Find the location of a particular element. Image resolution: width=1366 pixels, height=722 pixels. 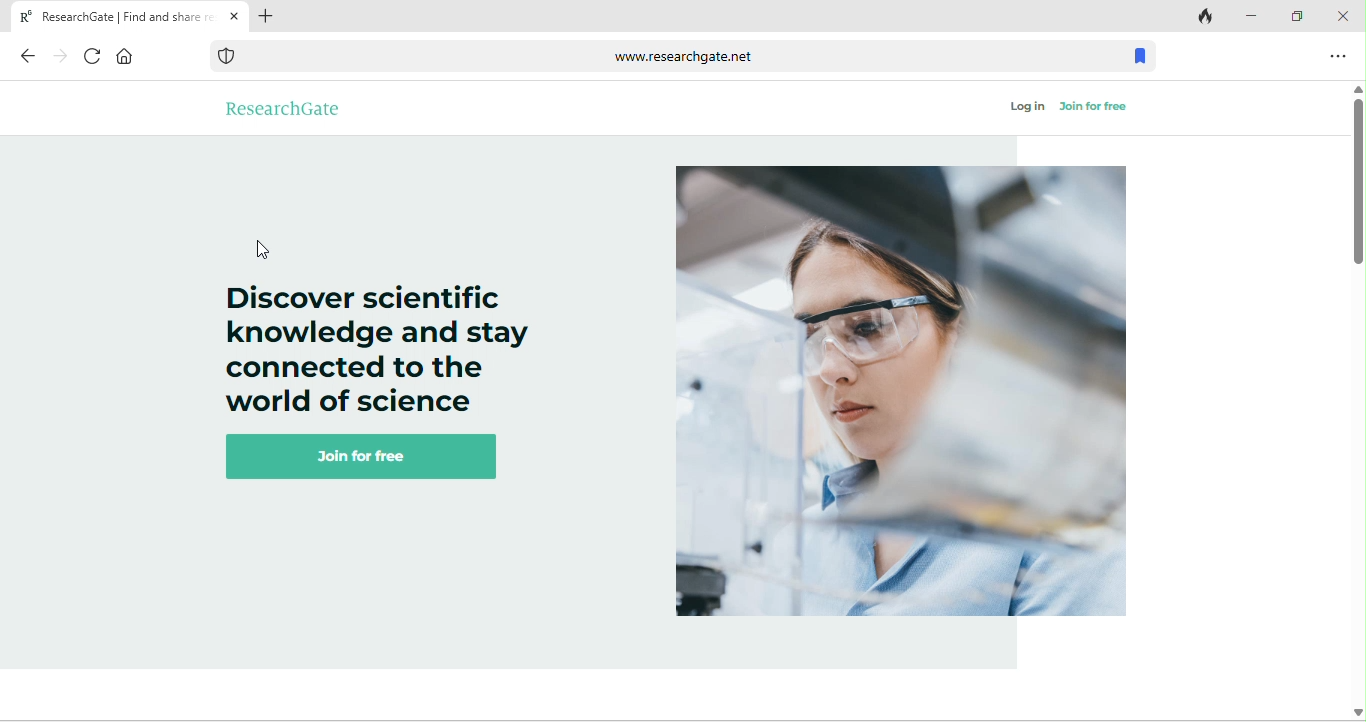

Down is located at coordinates (1352, 710).